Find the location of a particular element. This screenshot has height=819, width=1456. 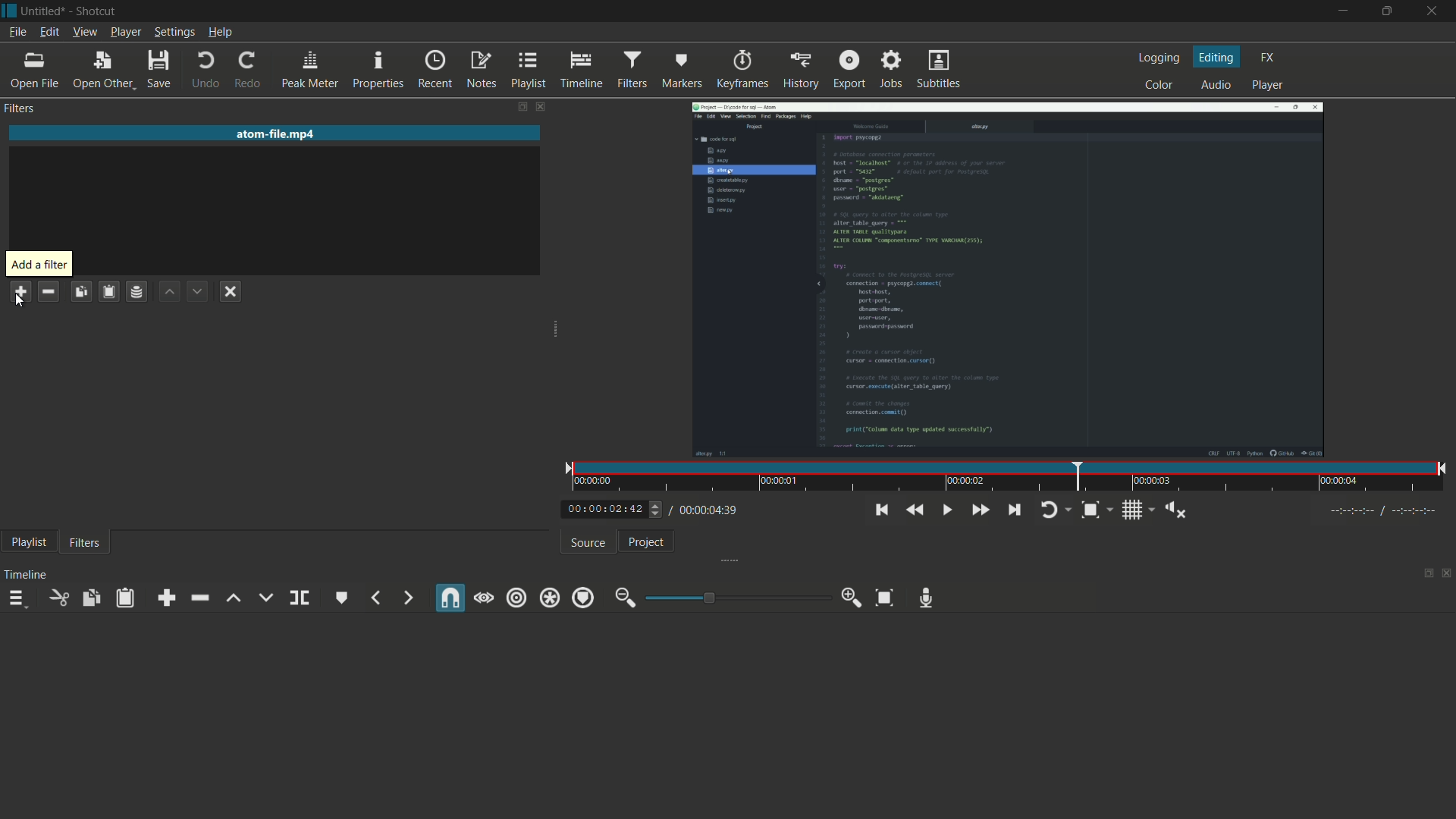

record audio is located at coordinates (927, 598).